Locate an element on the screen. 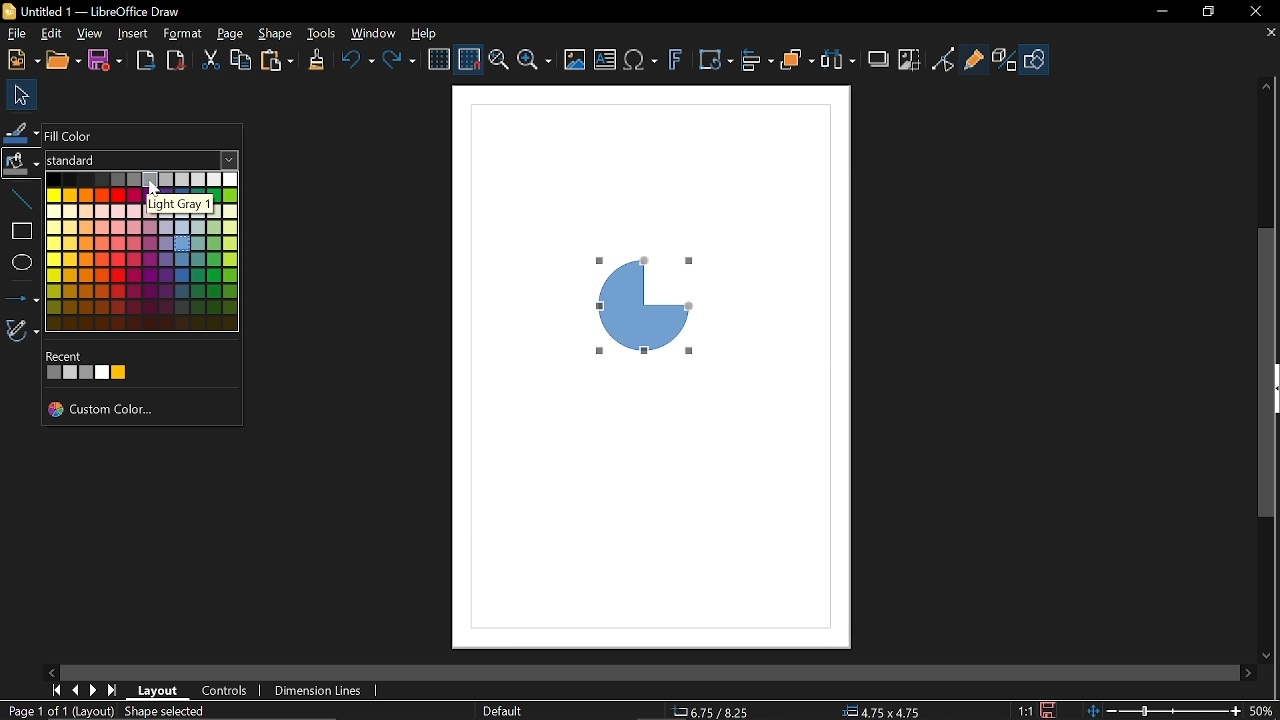 This screenshot has width=1280, height=720.  is located at coordinates (98, 688).